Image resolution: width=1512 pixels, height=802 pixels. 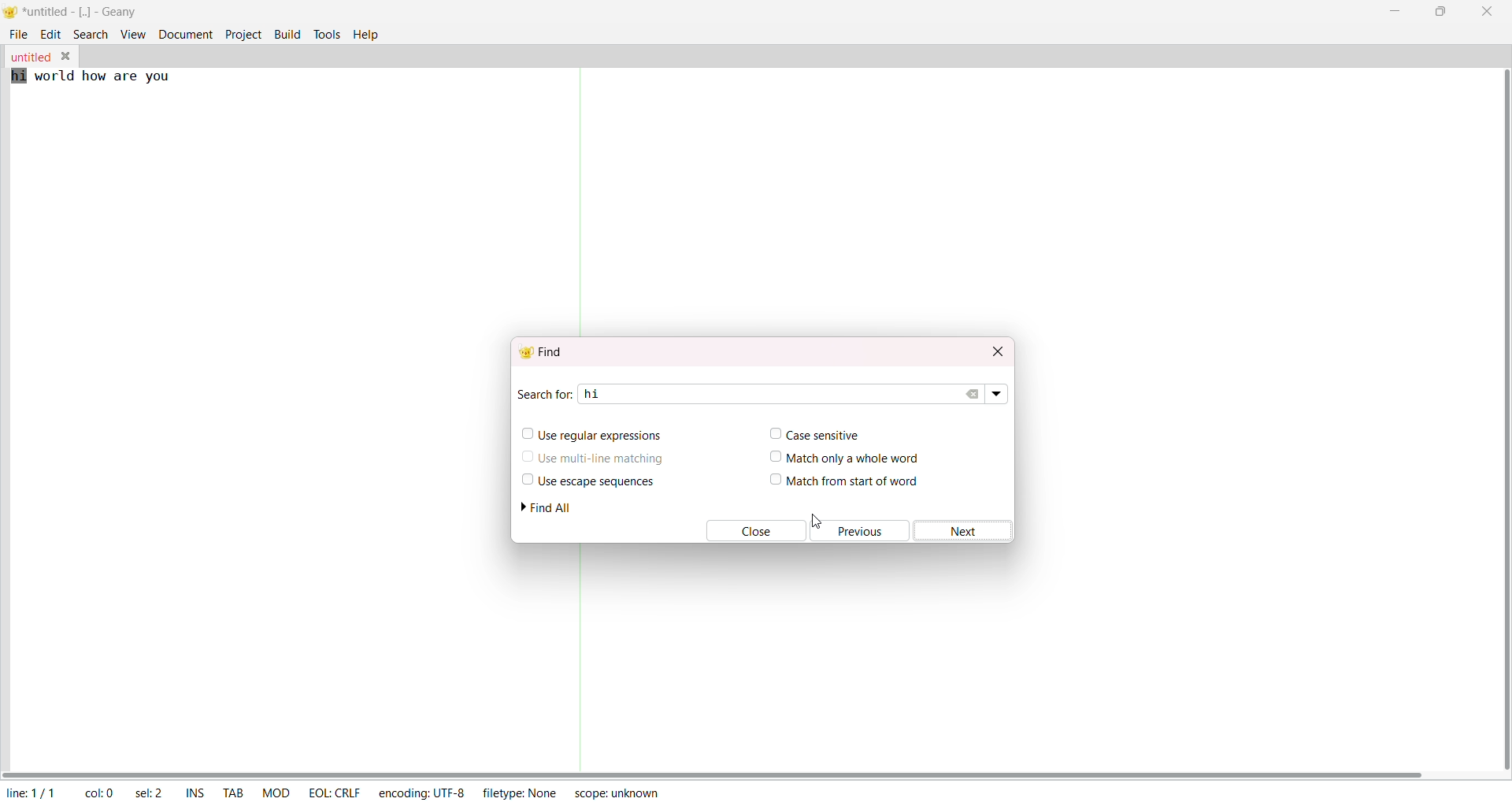 What do you see at coordinates (1002, 393) in the screenshot?
I see `search dropdown` at bounding box center [1002, 393].